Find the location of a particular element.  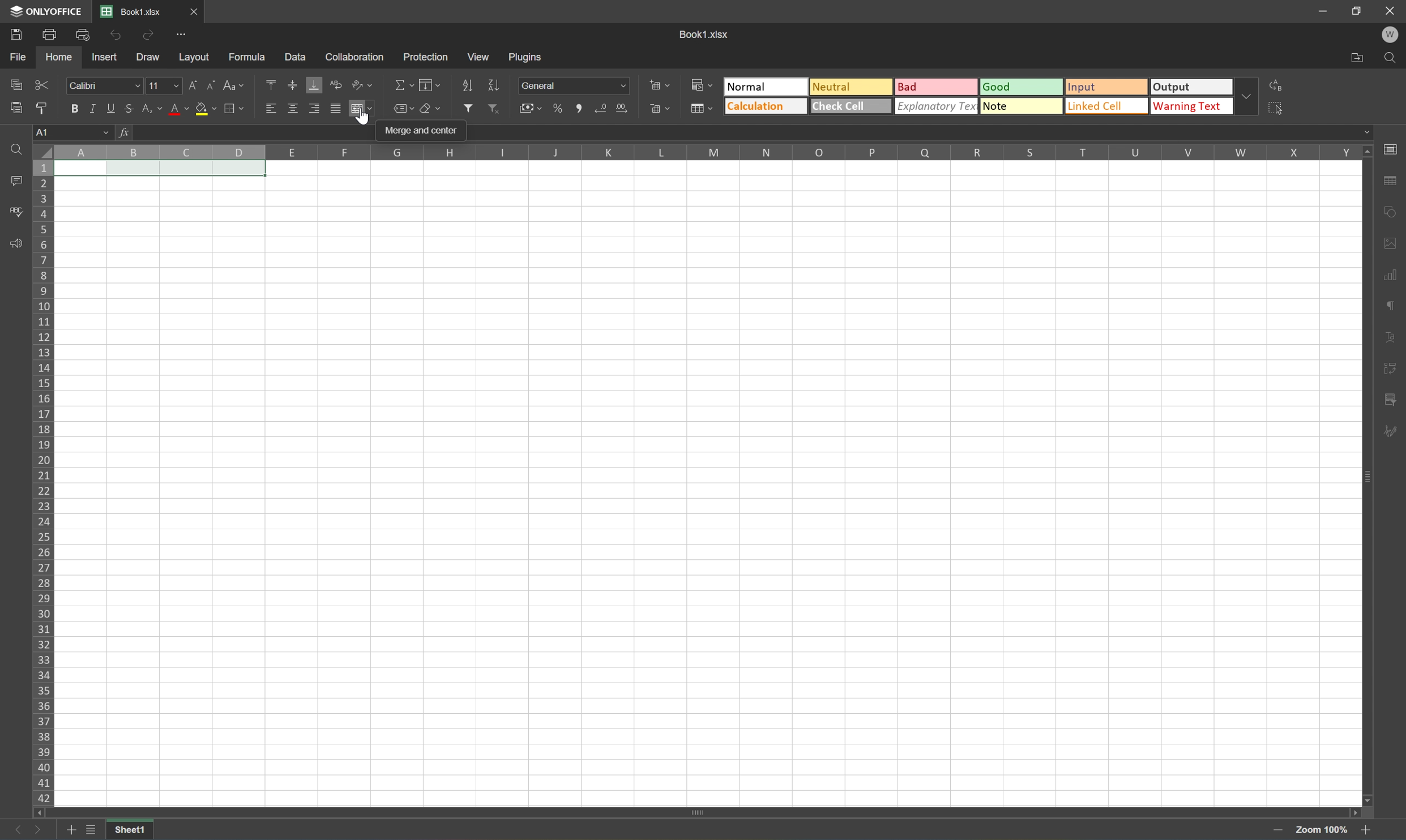

Collaboration is located at coordinates (359, 57).